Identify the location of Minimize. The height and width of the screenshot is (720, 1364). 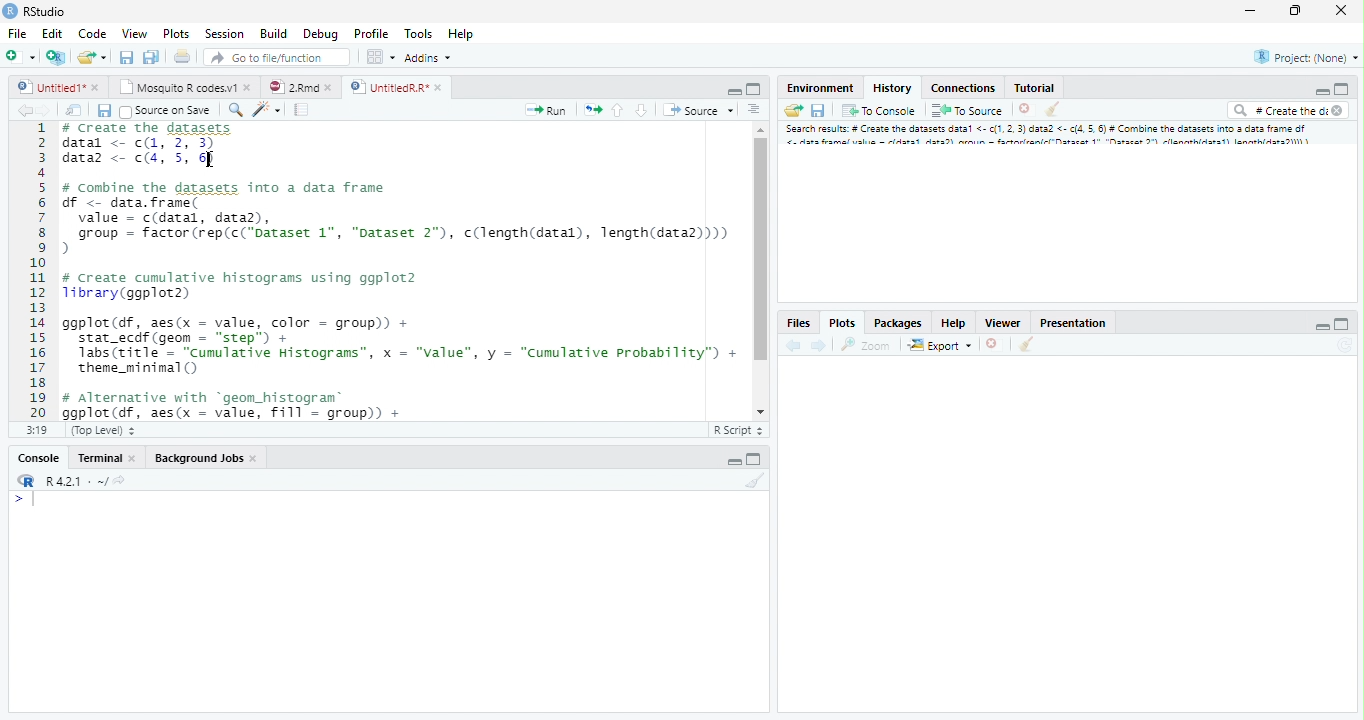
(733, 91).